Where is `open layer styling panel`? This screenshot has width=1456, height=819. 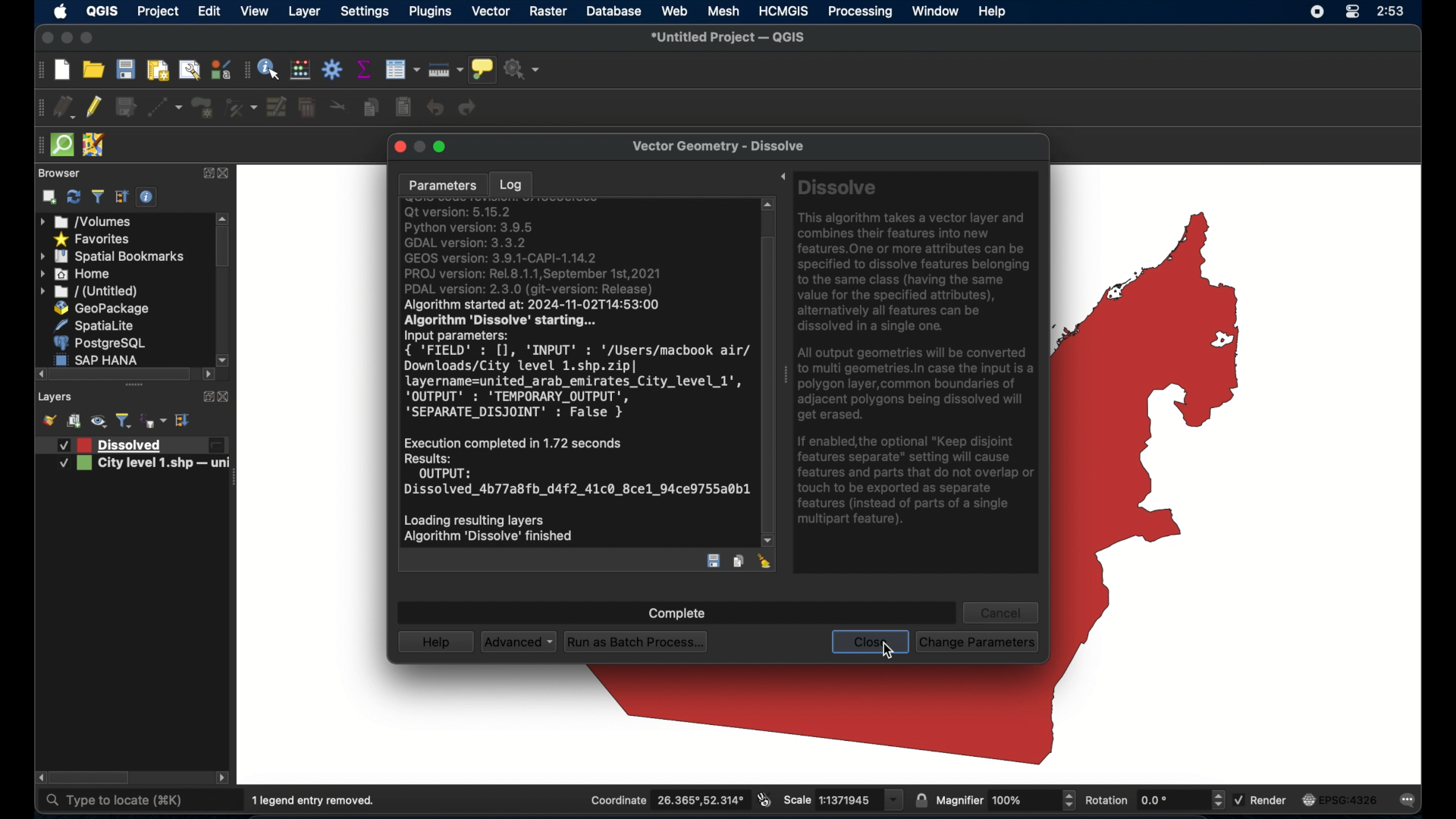
open layer styling panel is located at coordinates (49, 422).